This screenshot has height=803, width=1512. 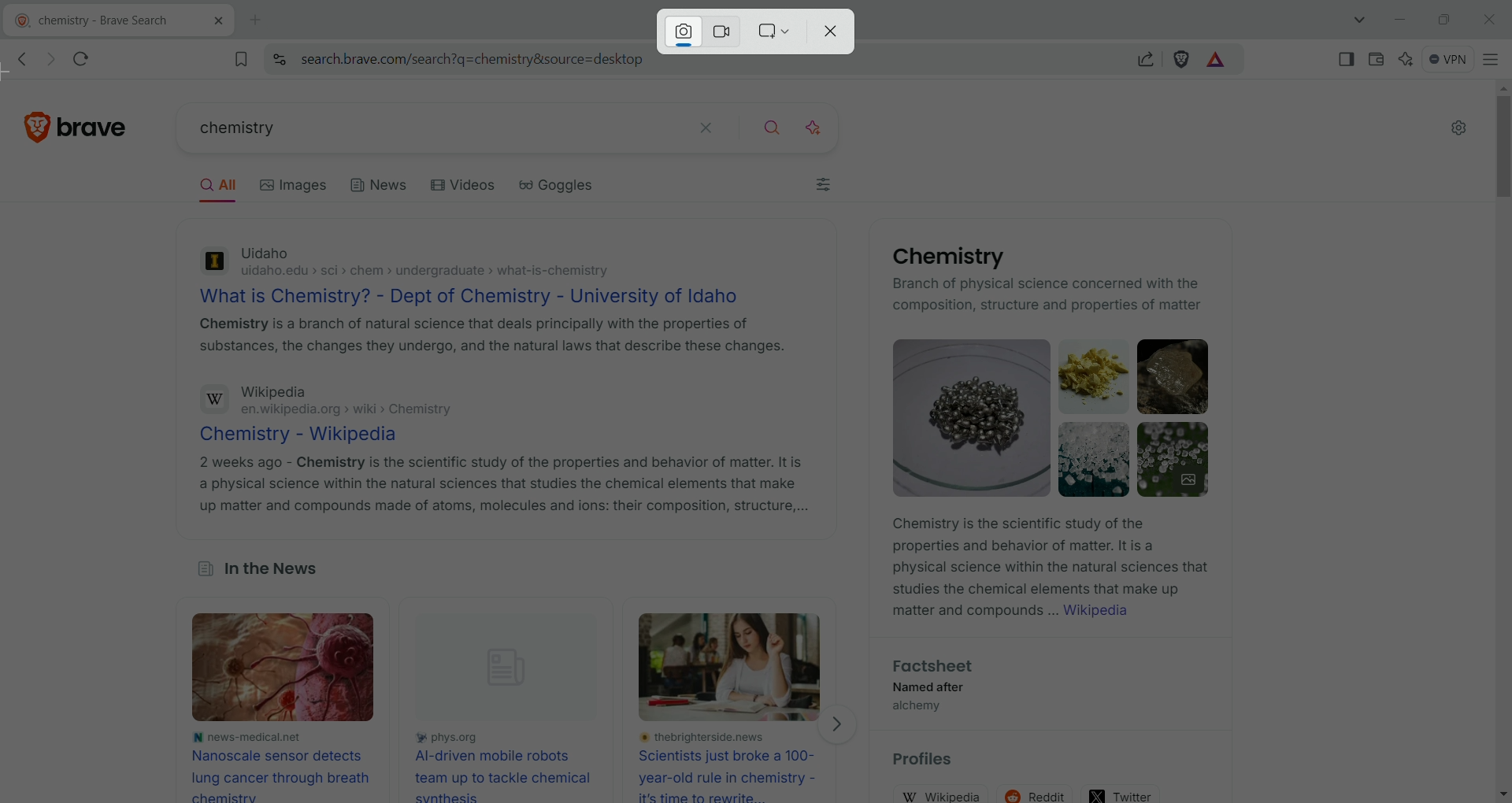 What do you see at coordinates (89, 22) in the screenshot?
I see `chemistry - brave search` at bounding box center [89, 22].